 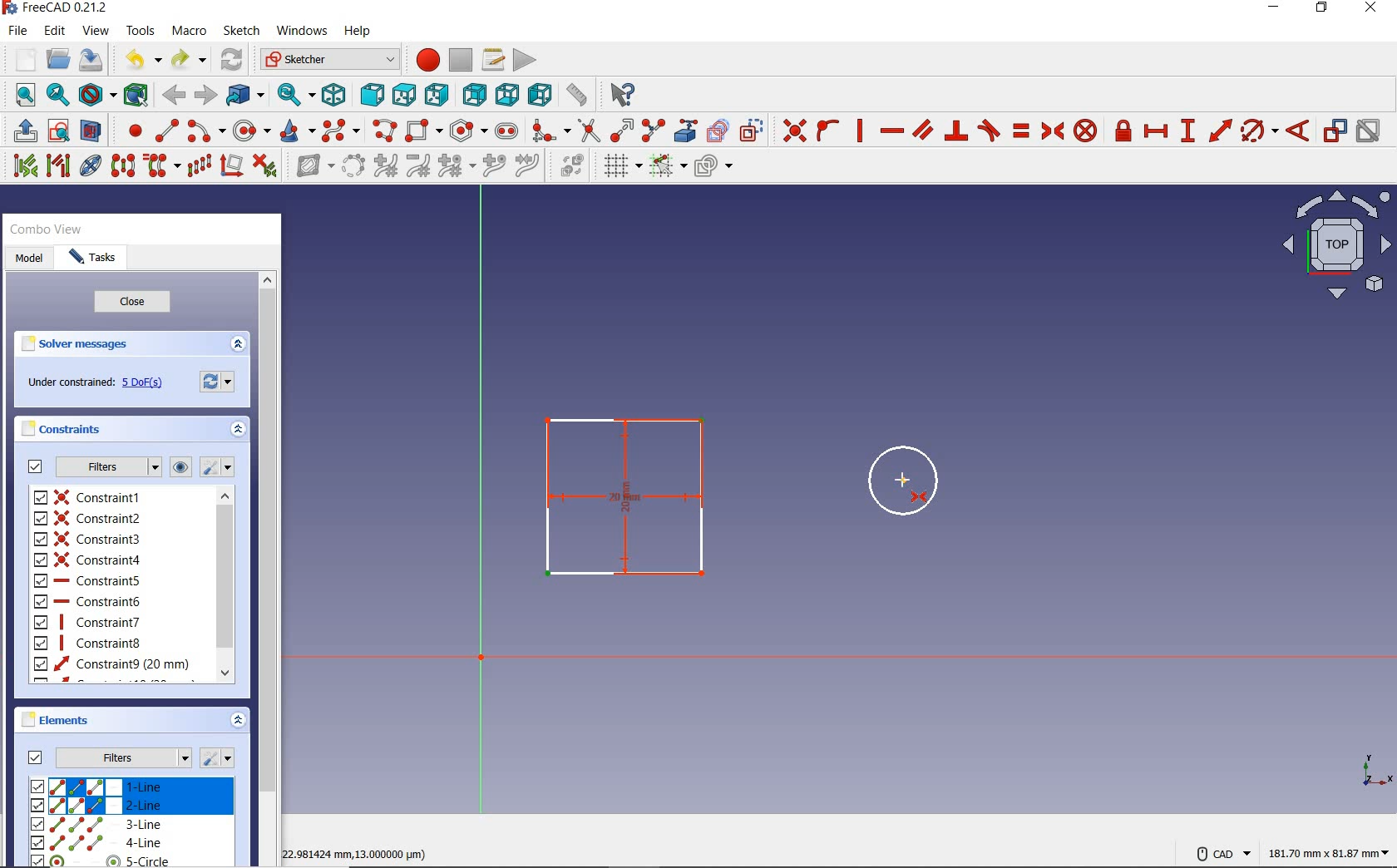 I want to click on execute macro, so click(x=525, y=62).